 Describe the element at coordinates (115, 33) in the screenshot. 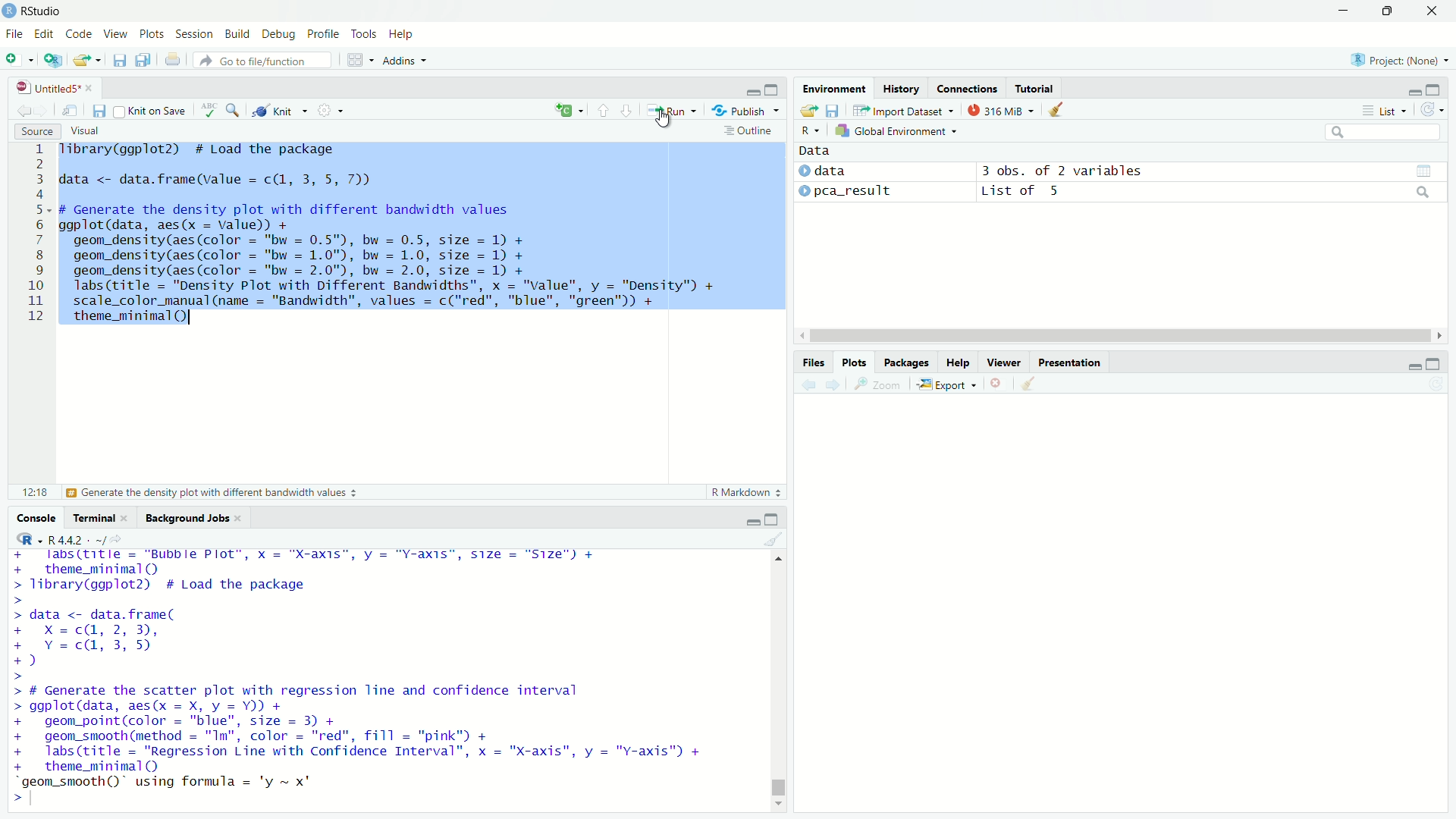

I see `View` at that location.